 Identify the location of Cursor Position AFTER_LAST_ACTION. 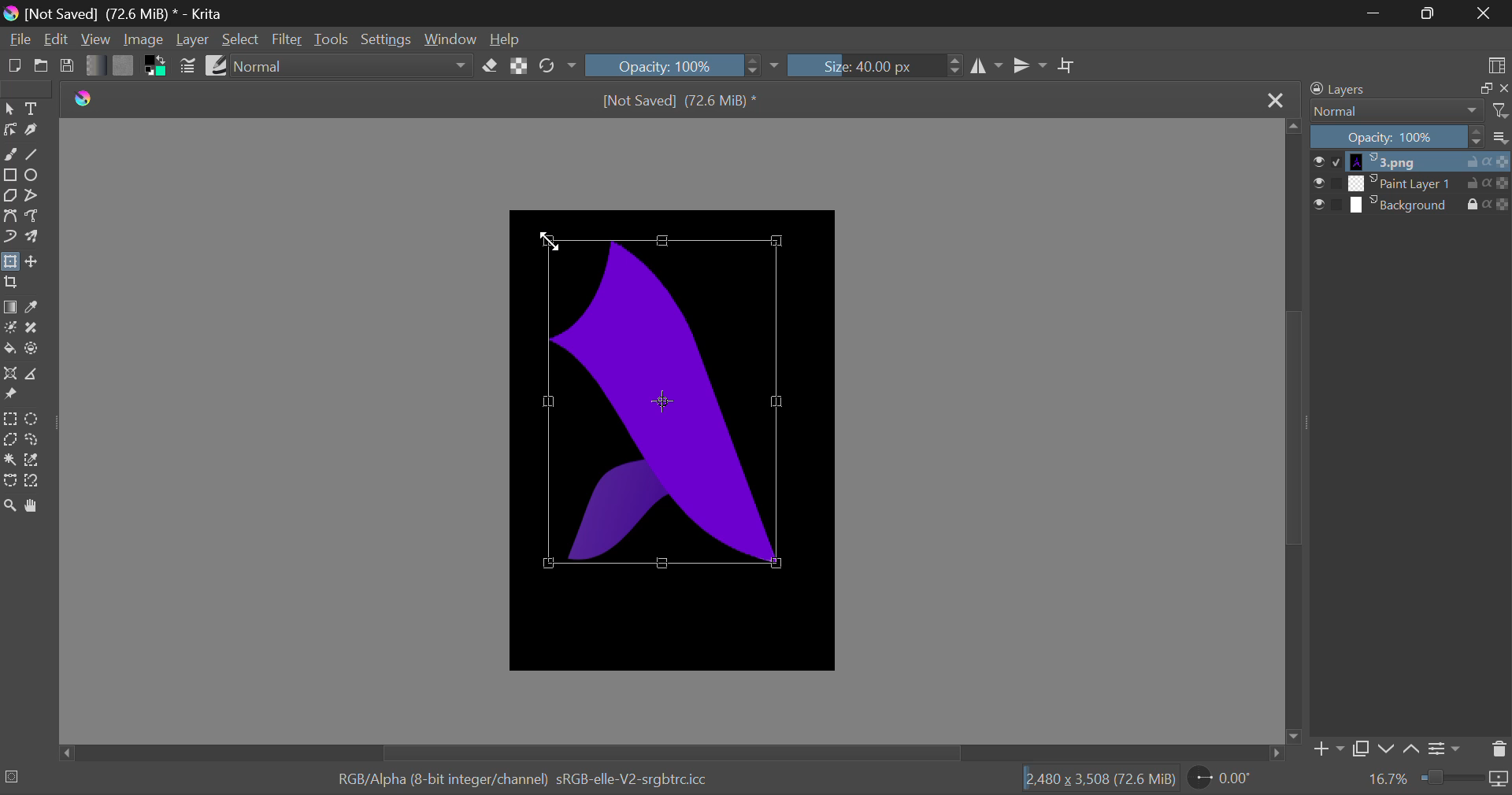
(549, 246).